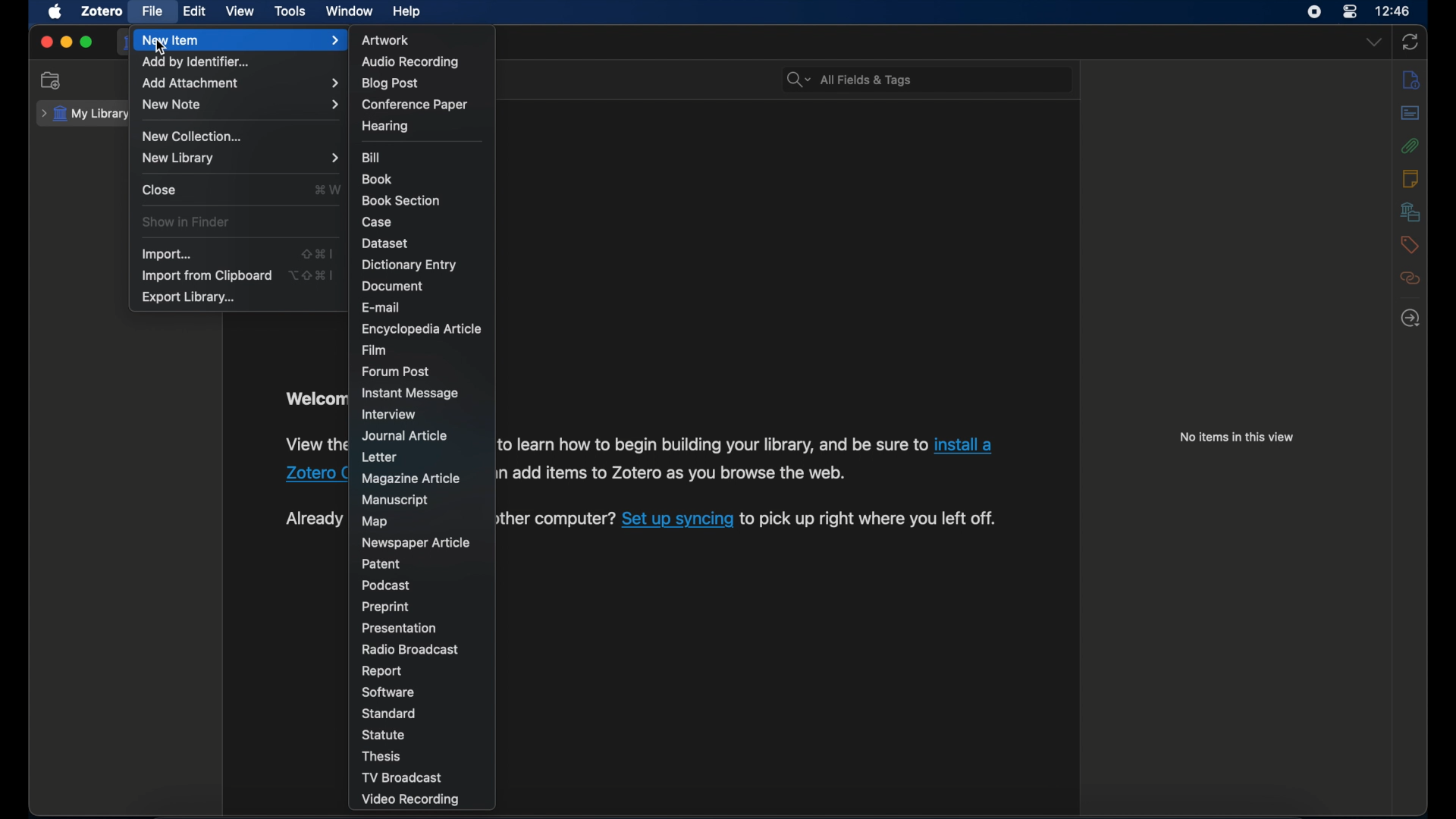  Describe the element at coordinates (374, 350) in the screenshot. I see `film` at that location.